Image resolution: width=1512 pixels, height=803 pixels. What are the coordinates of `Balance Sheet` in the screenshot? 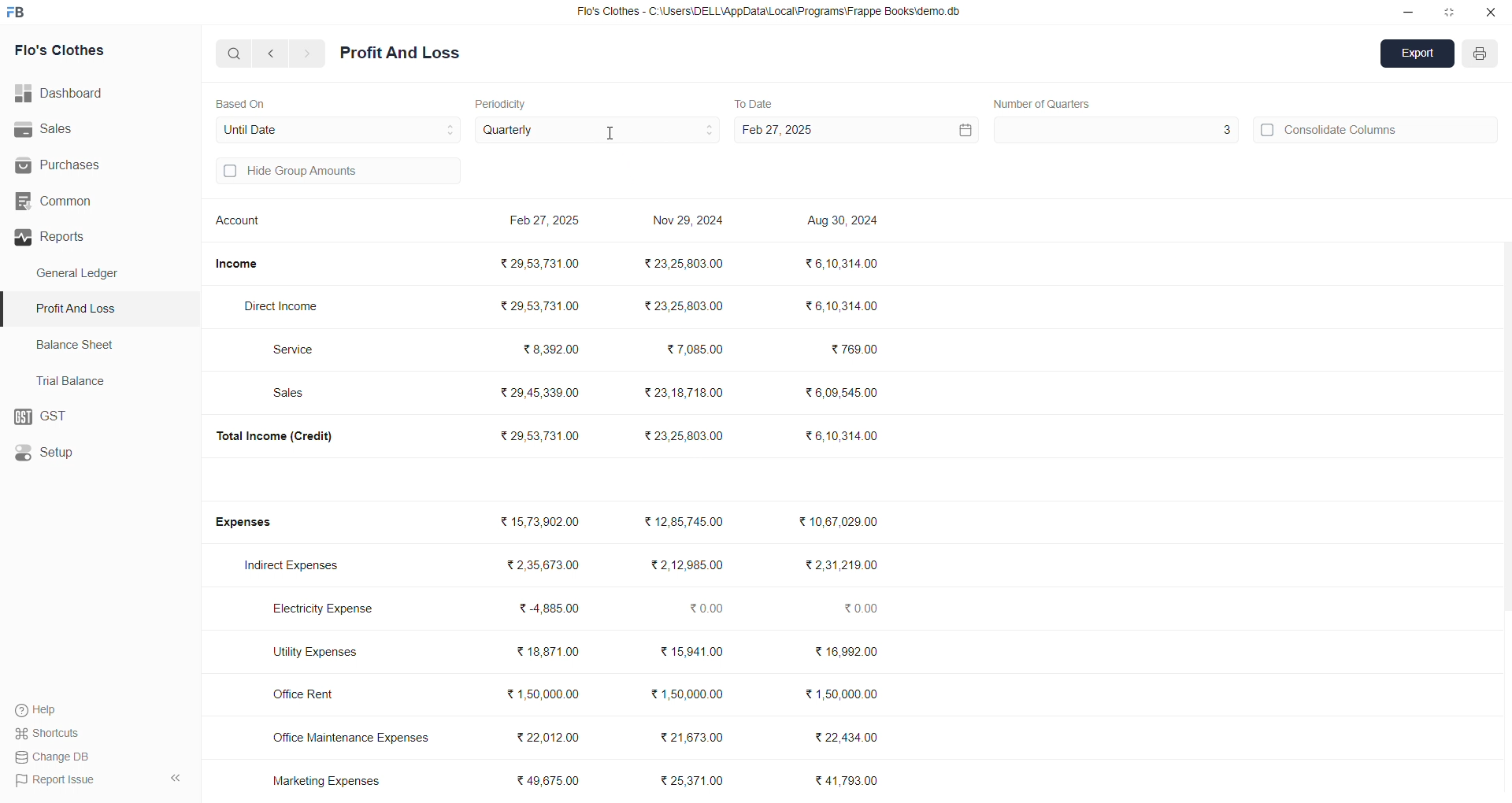 It's located at (77, 343).